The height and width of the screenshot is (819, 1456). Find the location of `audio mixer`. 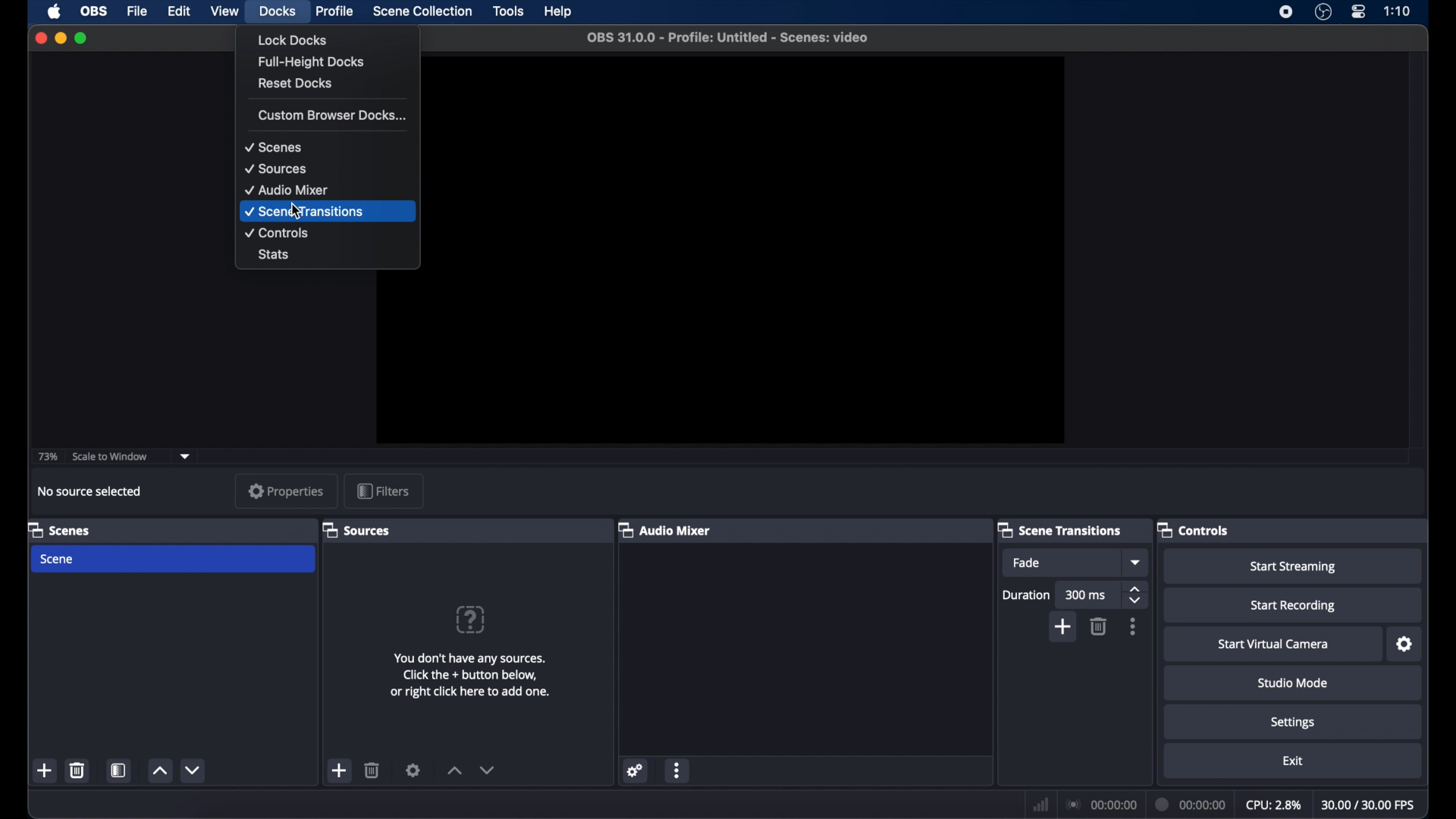

audio mixer is located at coordinates (287, 189).